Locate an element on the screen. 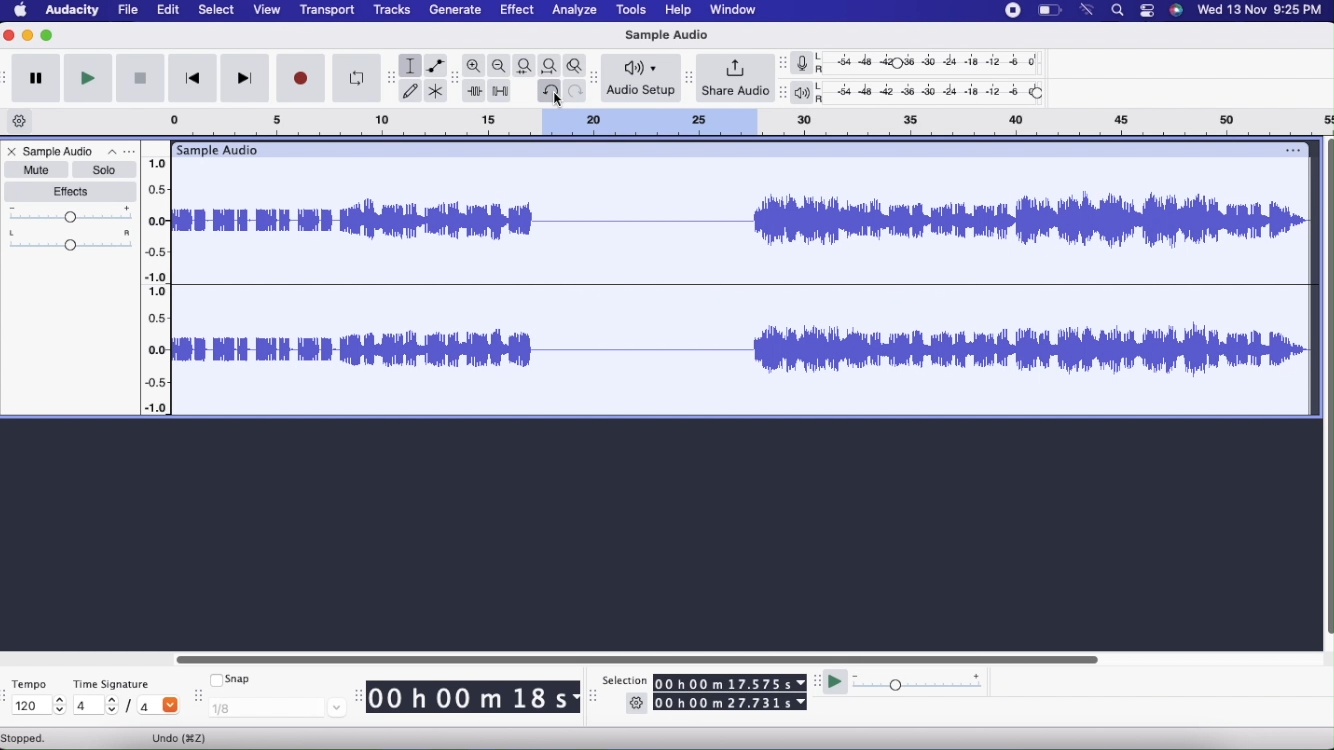  move toolbar is located at coordinates (783, 63).